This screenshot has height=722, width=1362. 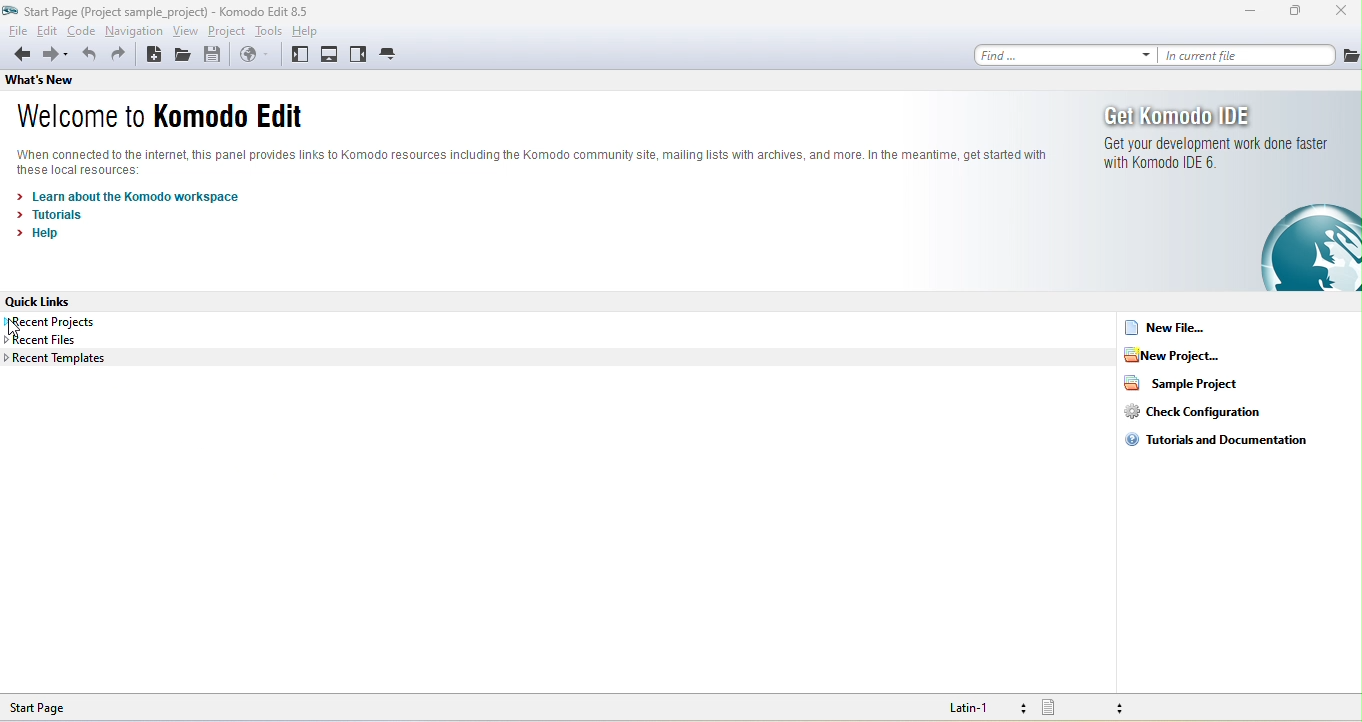 What do you see at coordinates (263, 32) in the screenshot?
I see `tools` at bounding box center [263, 32].